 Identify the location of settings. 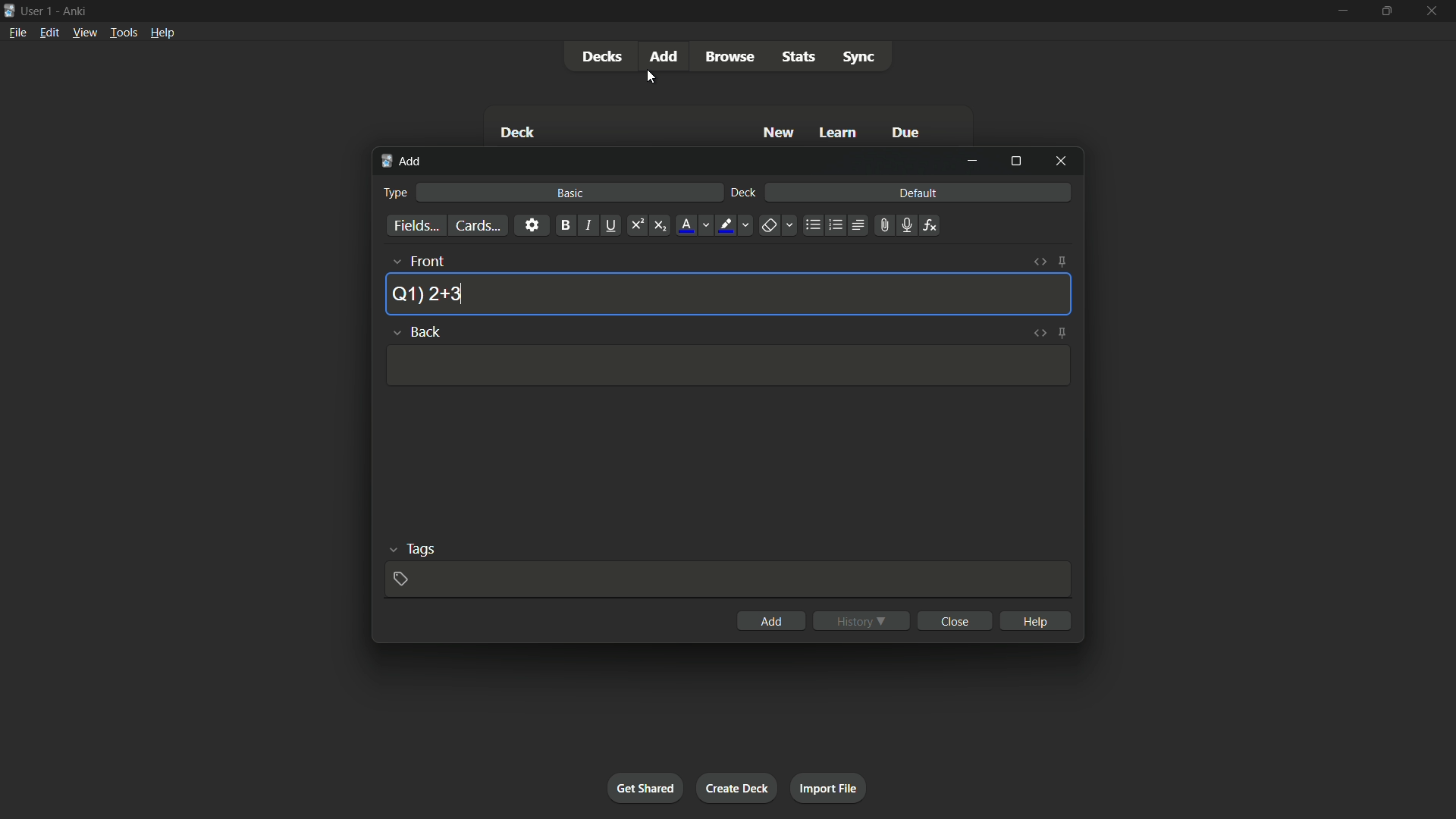
(532, 224).